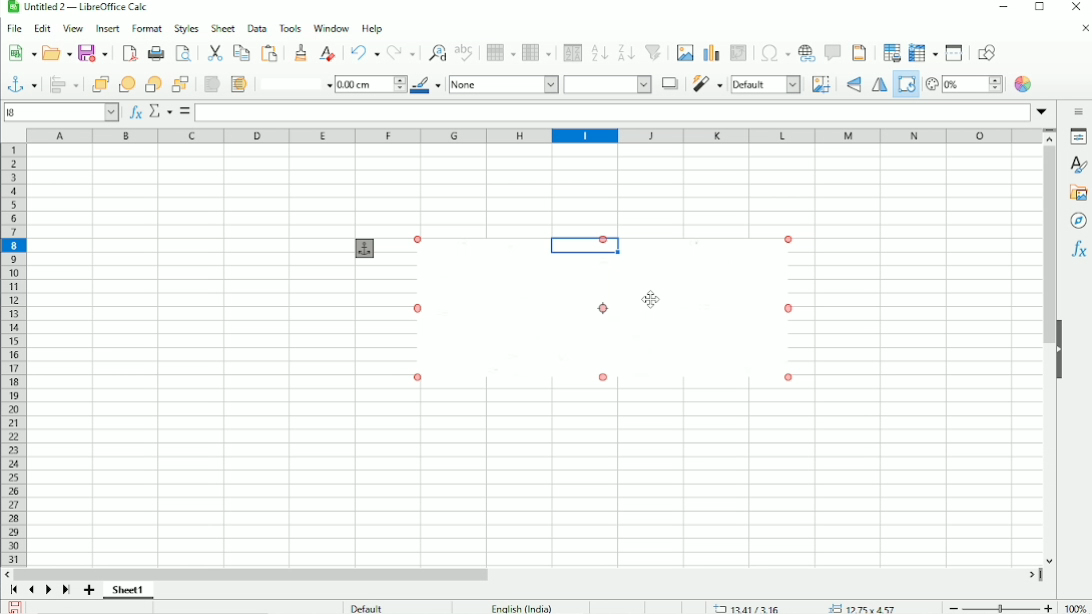 Image resolution: width=1092 pixels, height=614 pixels. Describe the element at coordinates (363, 53) in the screenshot. I see `Undo` at that location.